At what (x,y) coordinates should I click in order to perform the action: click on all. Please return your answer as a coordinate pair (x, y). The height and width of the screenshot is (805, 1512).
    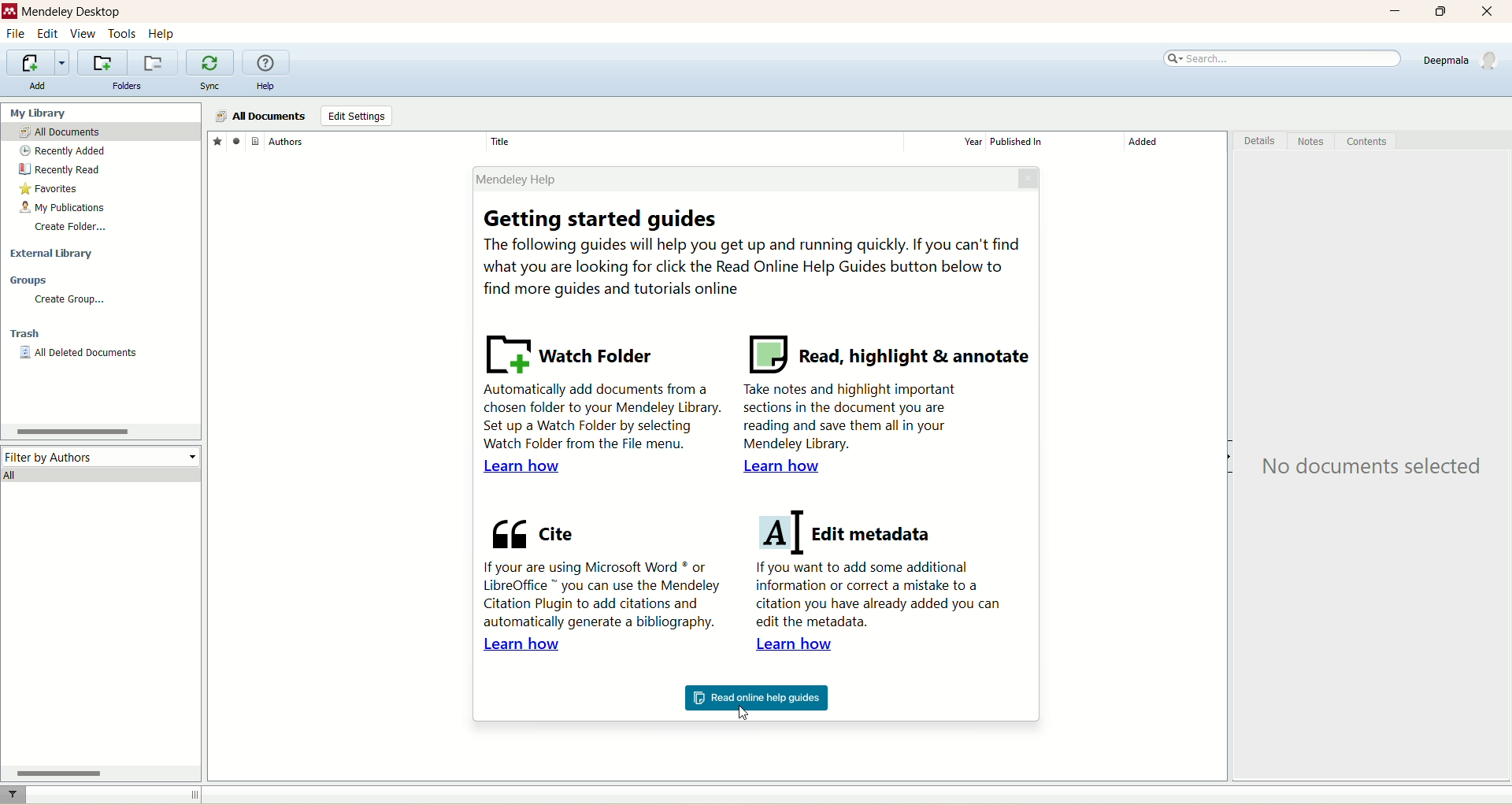
    Looking at the image, I should click on (101, 476).